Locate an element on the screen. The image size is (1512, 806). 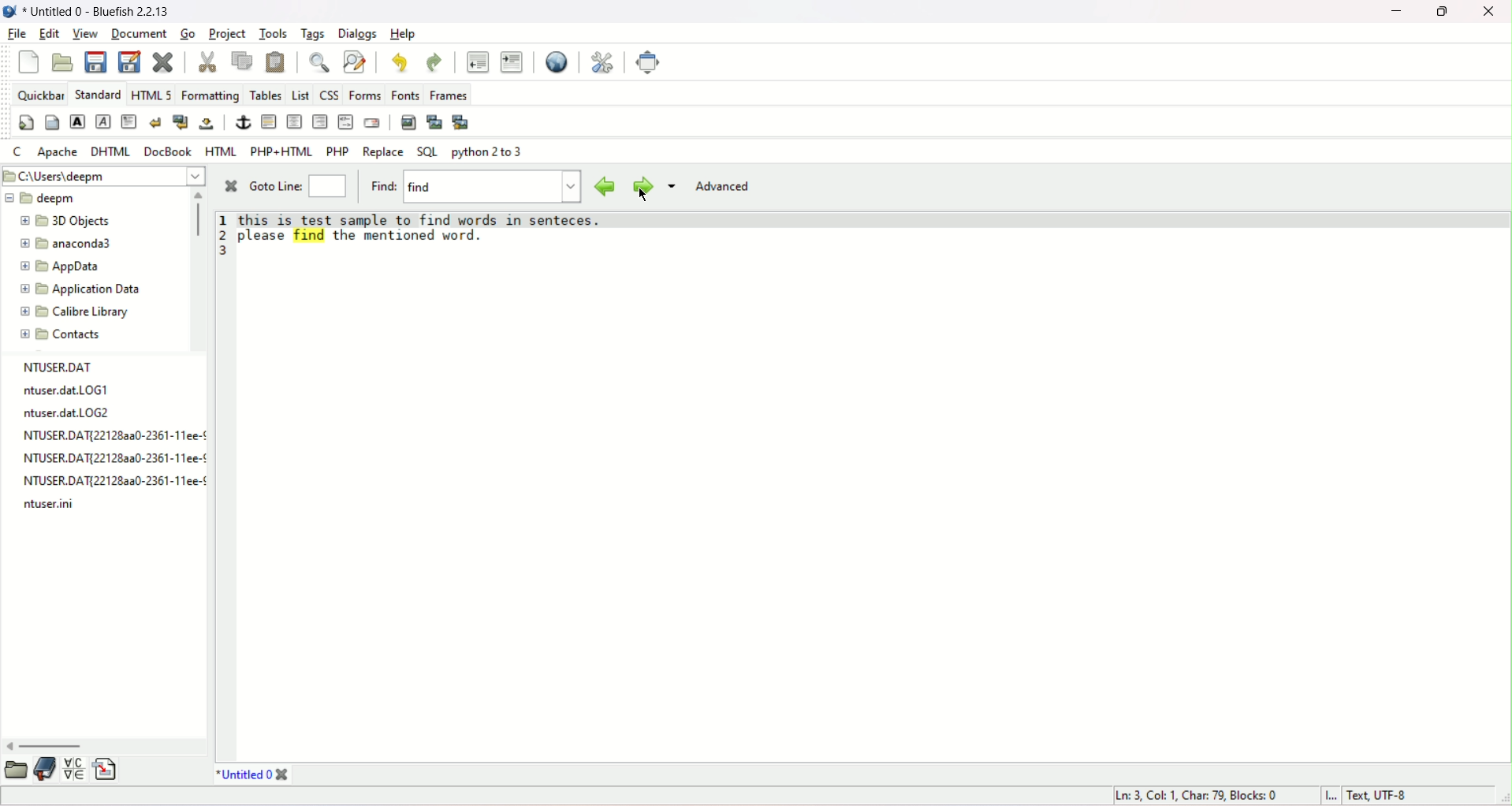
PHP is located at coordinates (337, 150).